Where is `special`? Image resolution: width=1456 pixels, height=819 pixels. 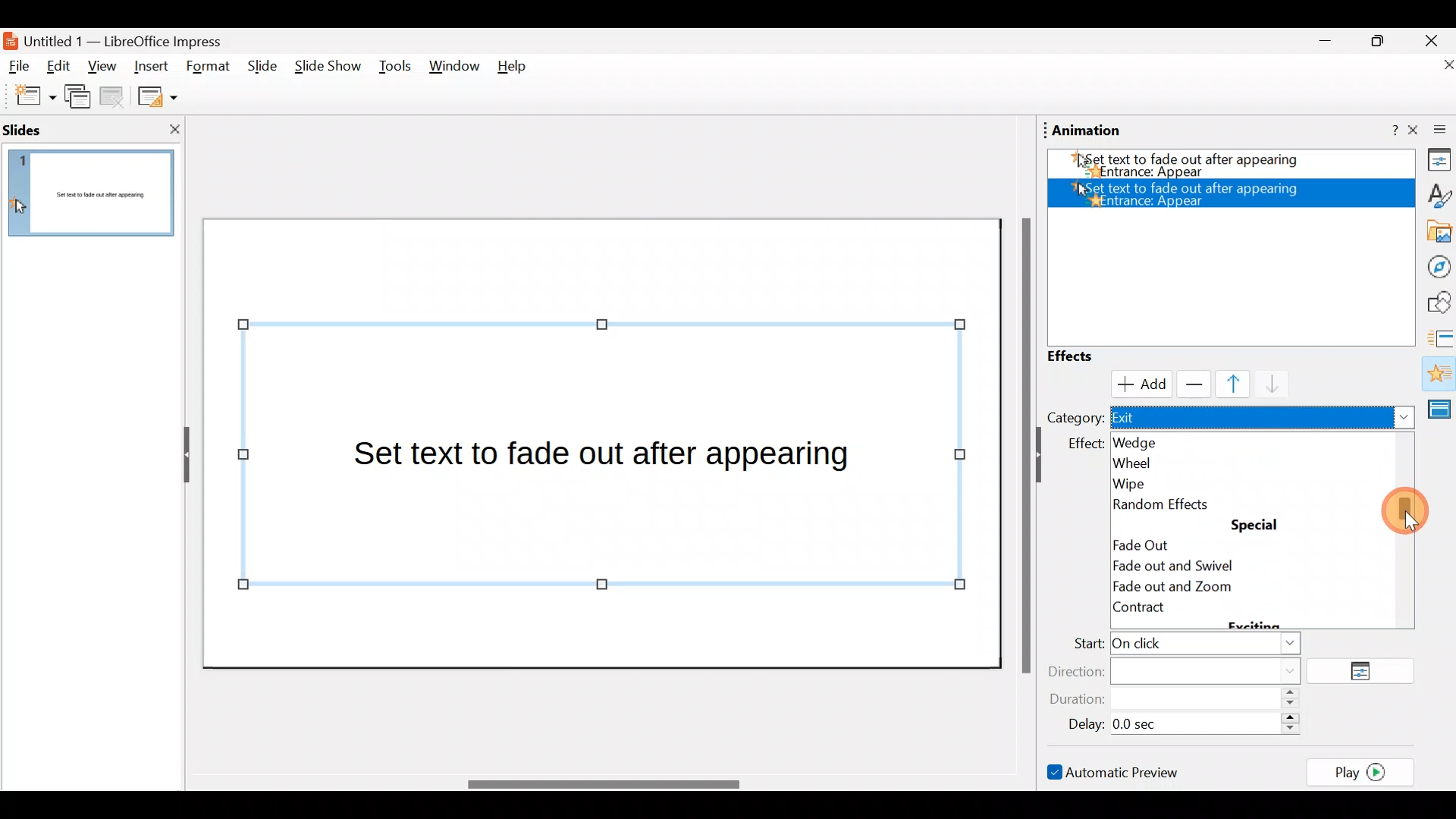
special is located at coordinates (1257, 526).